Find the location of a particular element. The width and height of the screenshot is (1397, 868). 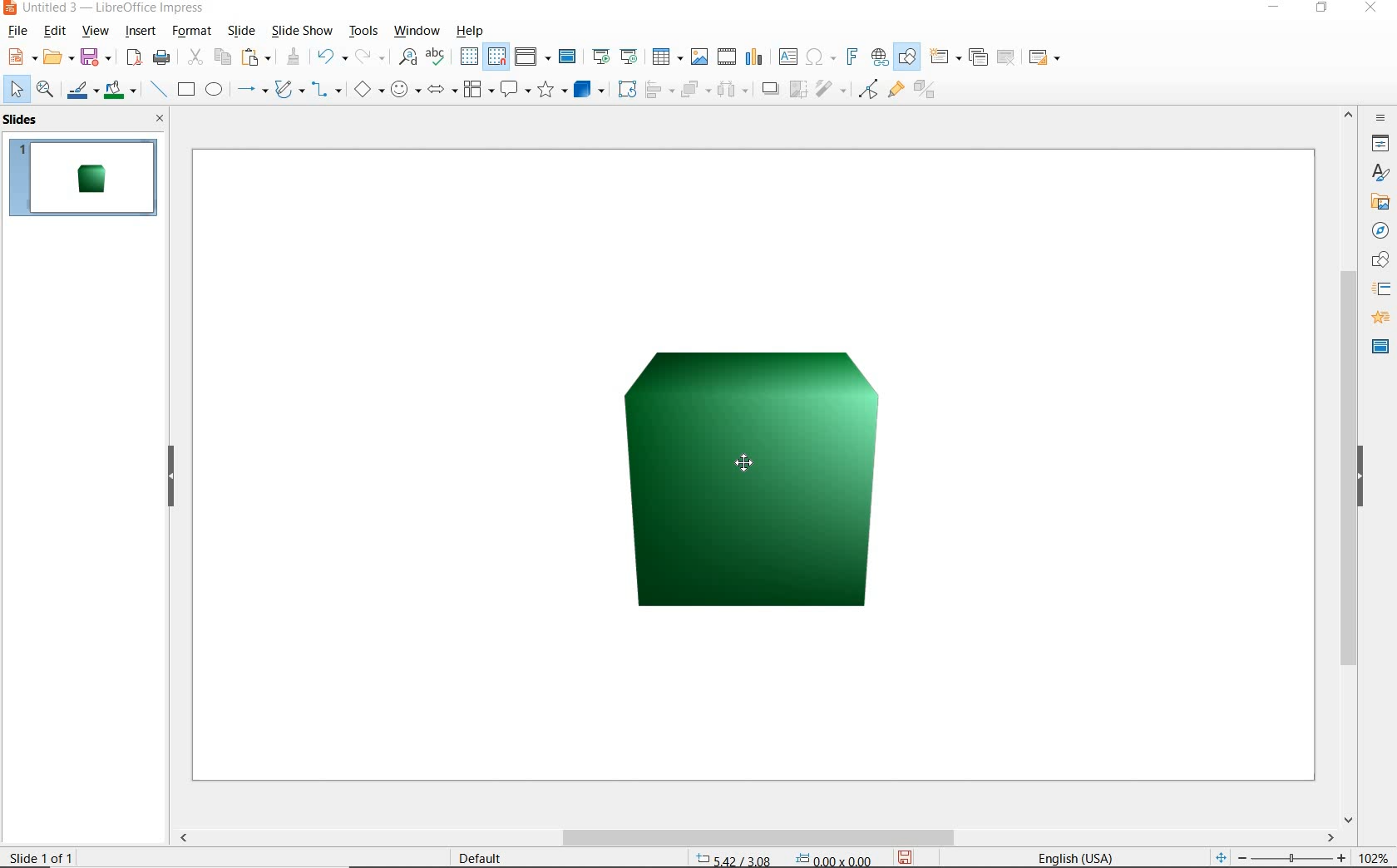

CLOSE is located at coordinates (161, 120).